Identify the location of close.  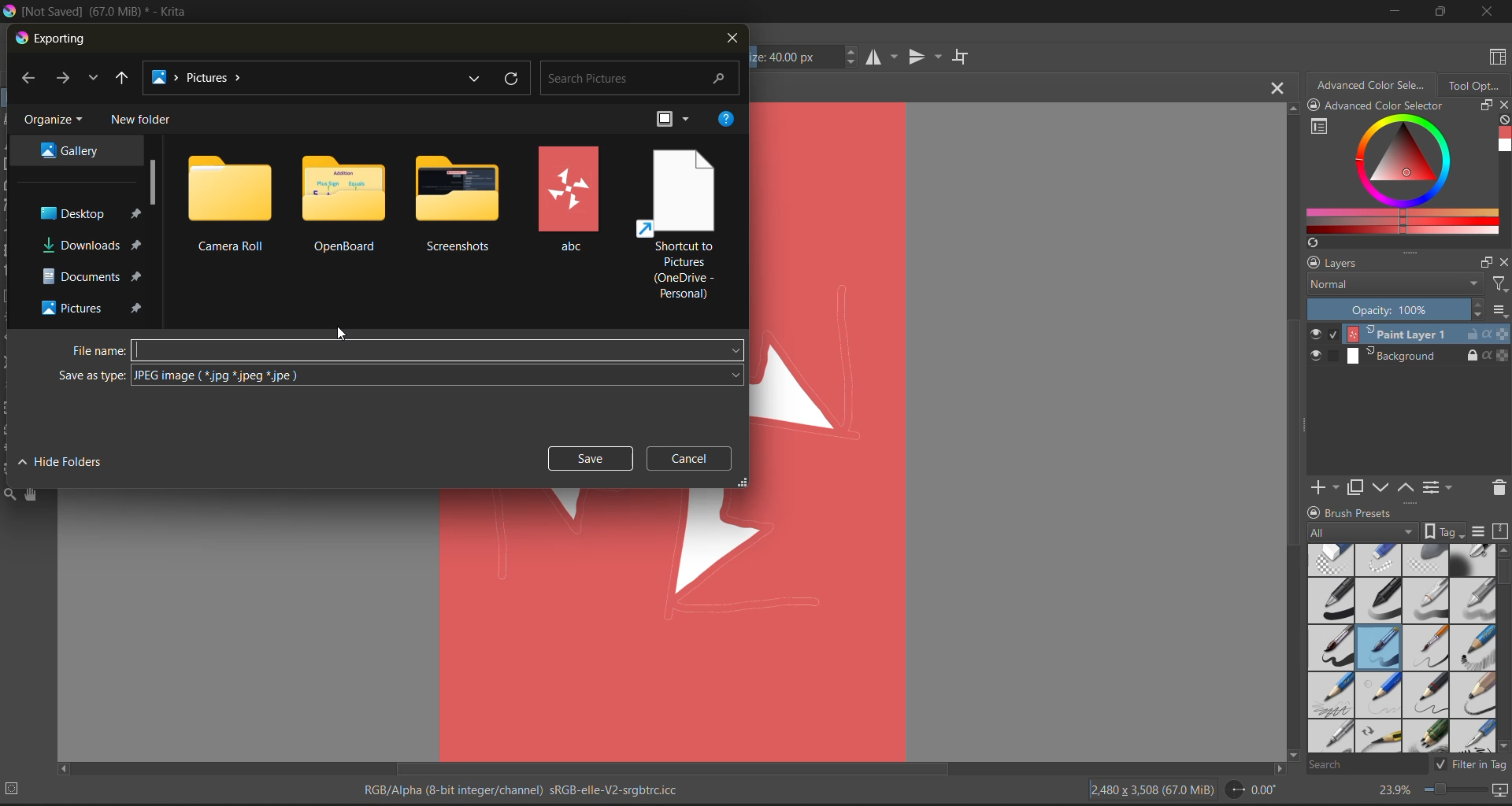
(1503, 264).